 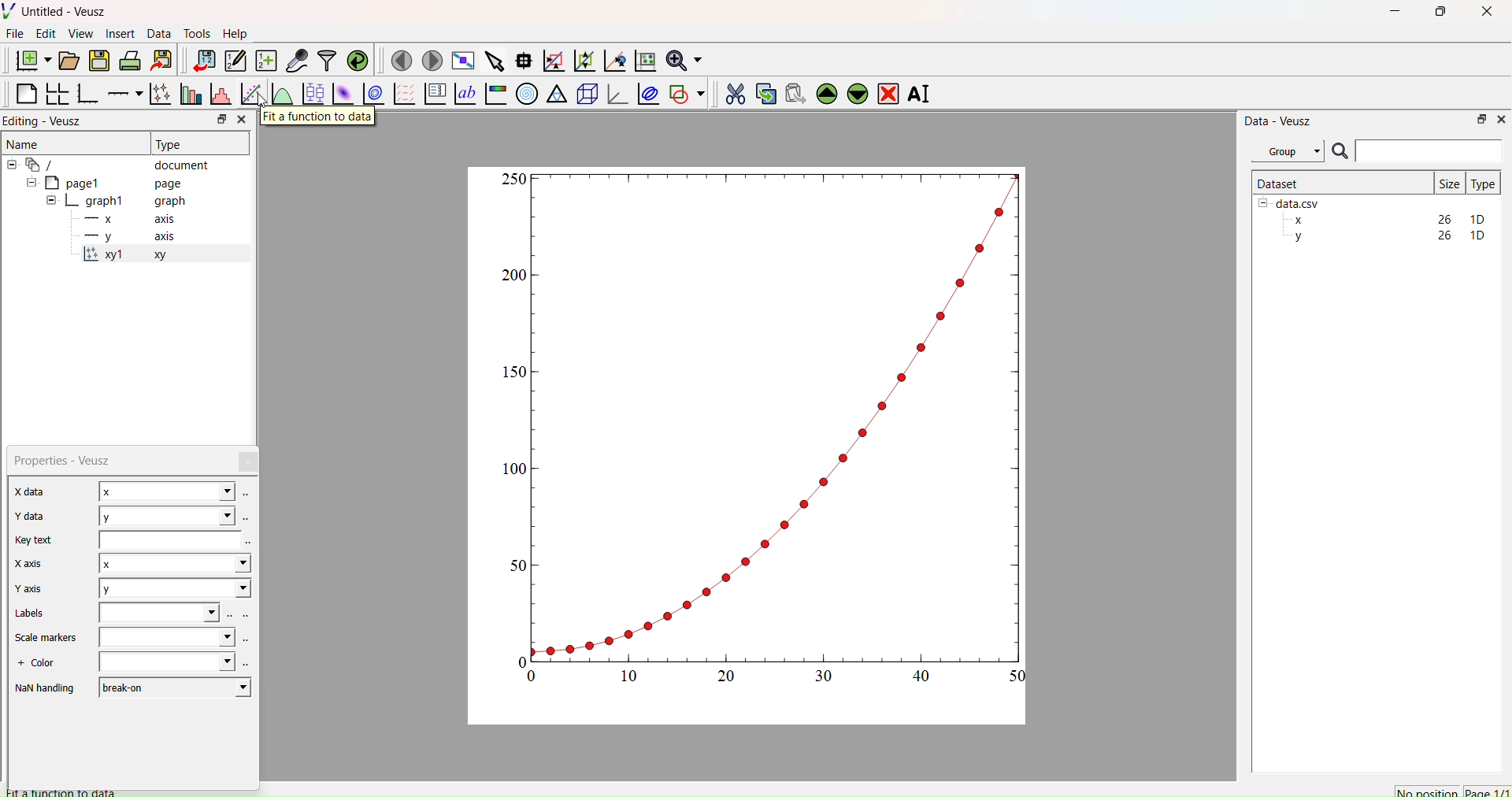 I want to click on Arrange graphs in grid, so click(x=57, y=95).